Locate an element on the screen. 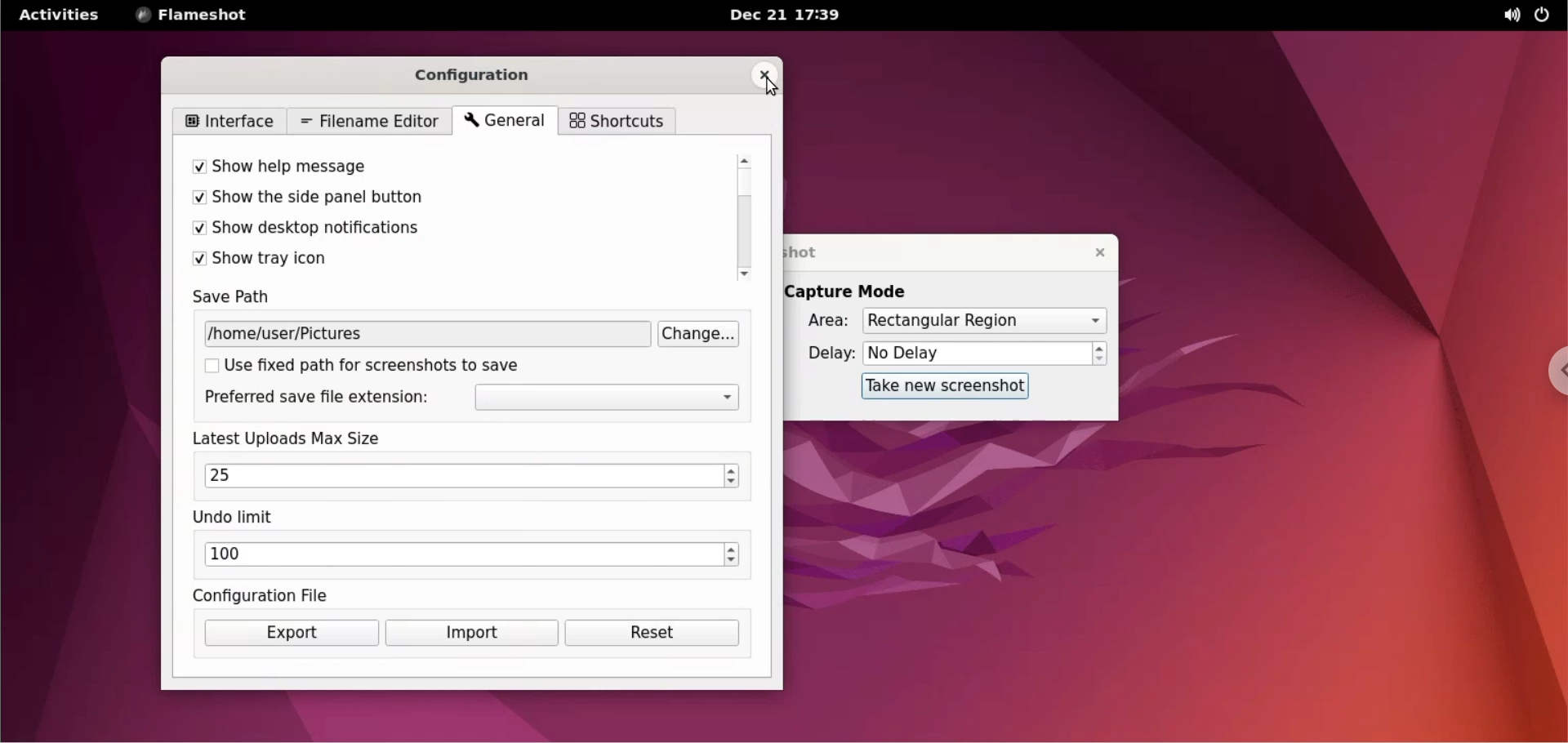 This screenshot has width=1568, height=743. sound options is located at coordinates (1505, 15).